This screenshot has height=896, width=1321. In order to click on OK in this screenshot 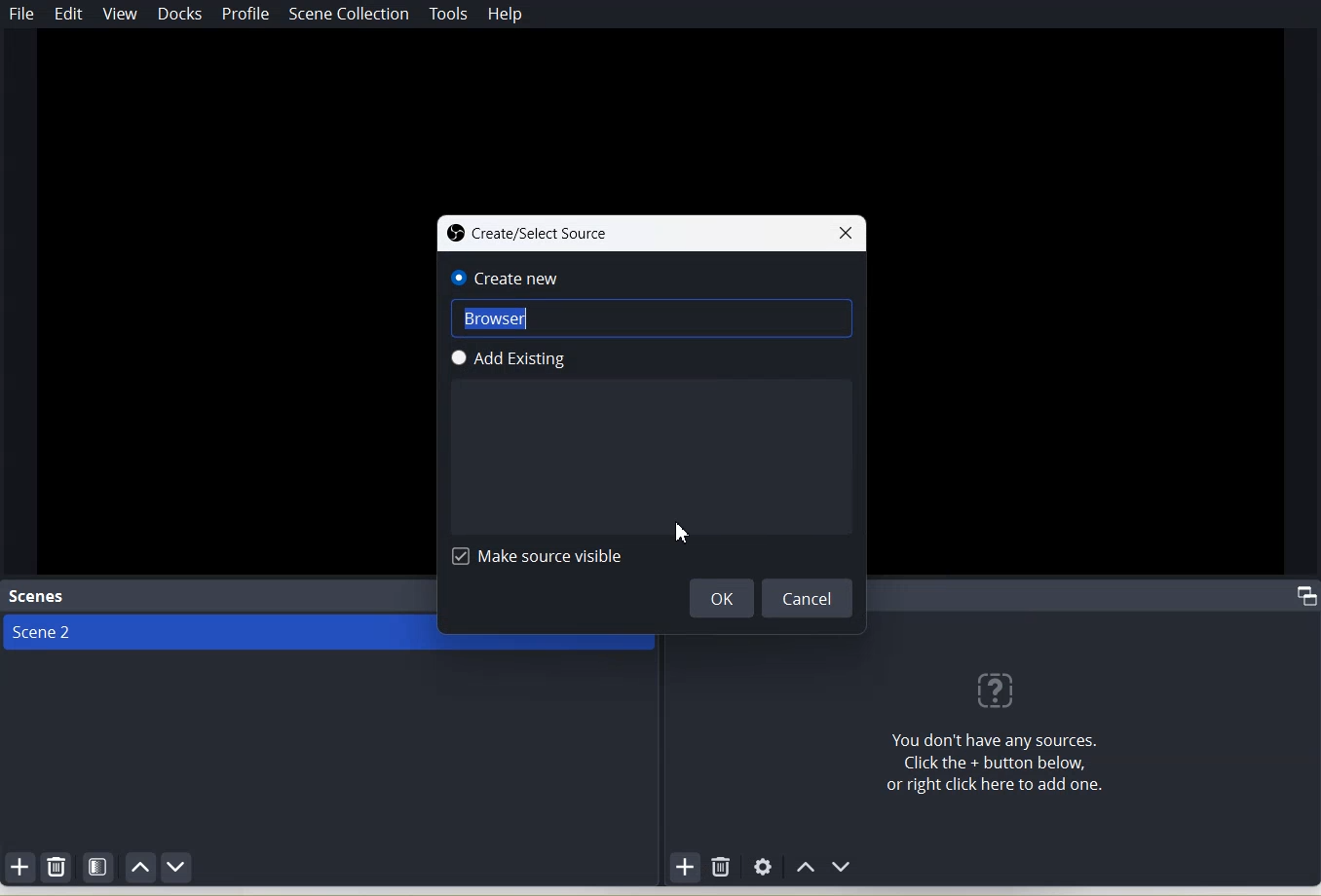, I will do `click(723, 597)`.